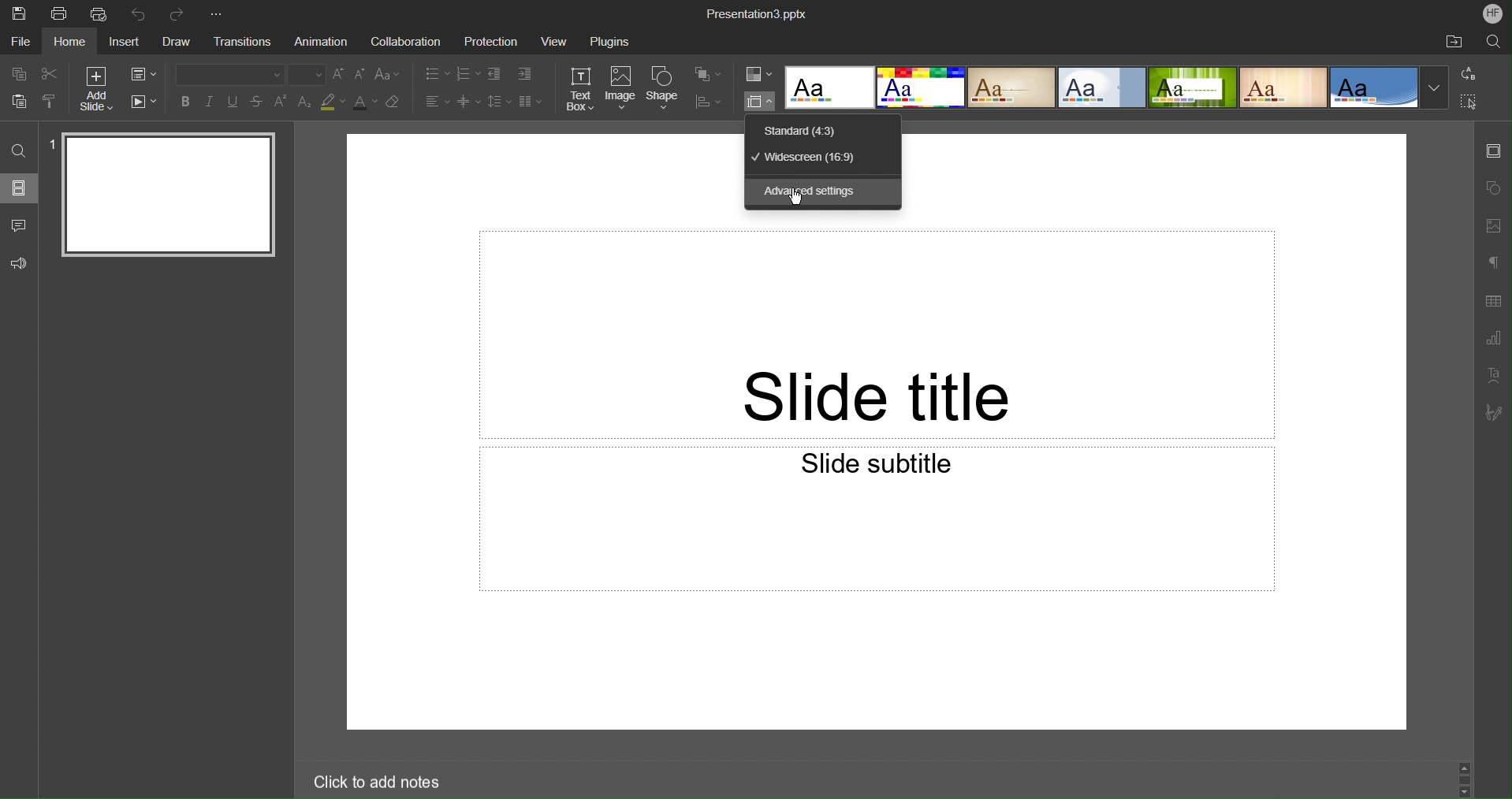 The image size is (1512, 799). I want to click on Table, so click(1493, 301).